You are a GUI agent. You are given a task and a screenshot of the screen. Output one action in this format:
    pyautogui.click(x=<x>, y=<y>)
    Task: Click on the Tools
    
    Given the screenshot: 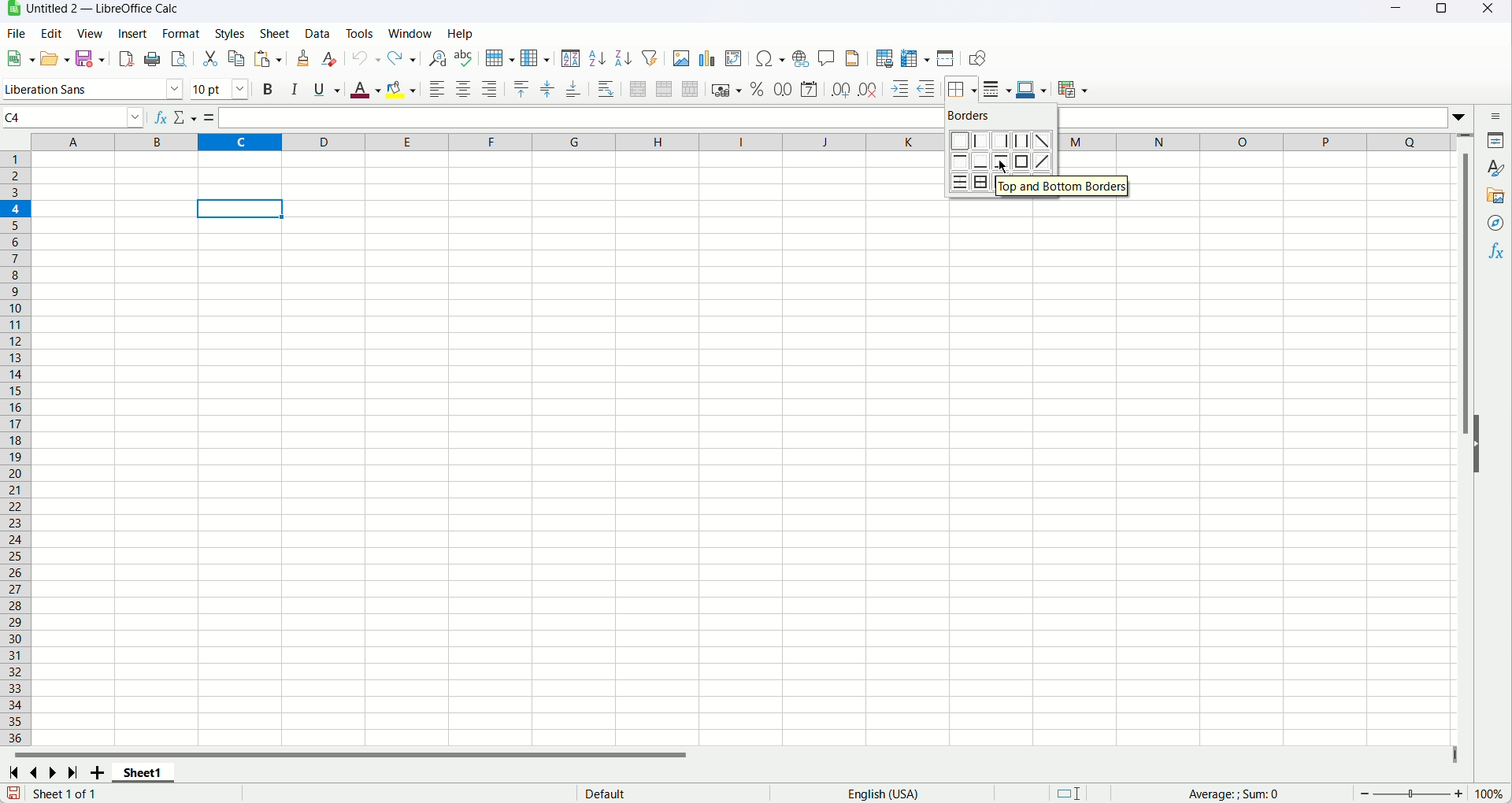 What is the action you would take?
    pyautogui.click(x=359, y=33)
    